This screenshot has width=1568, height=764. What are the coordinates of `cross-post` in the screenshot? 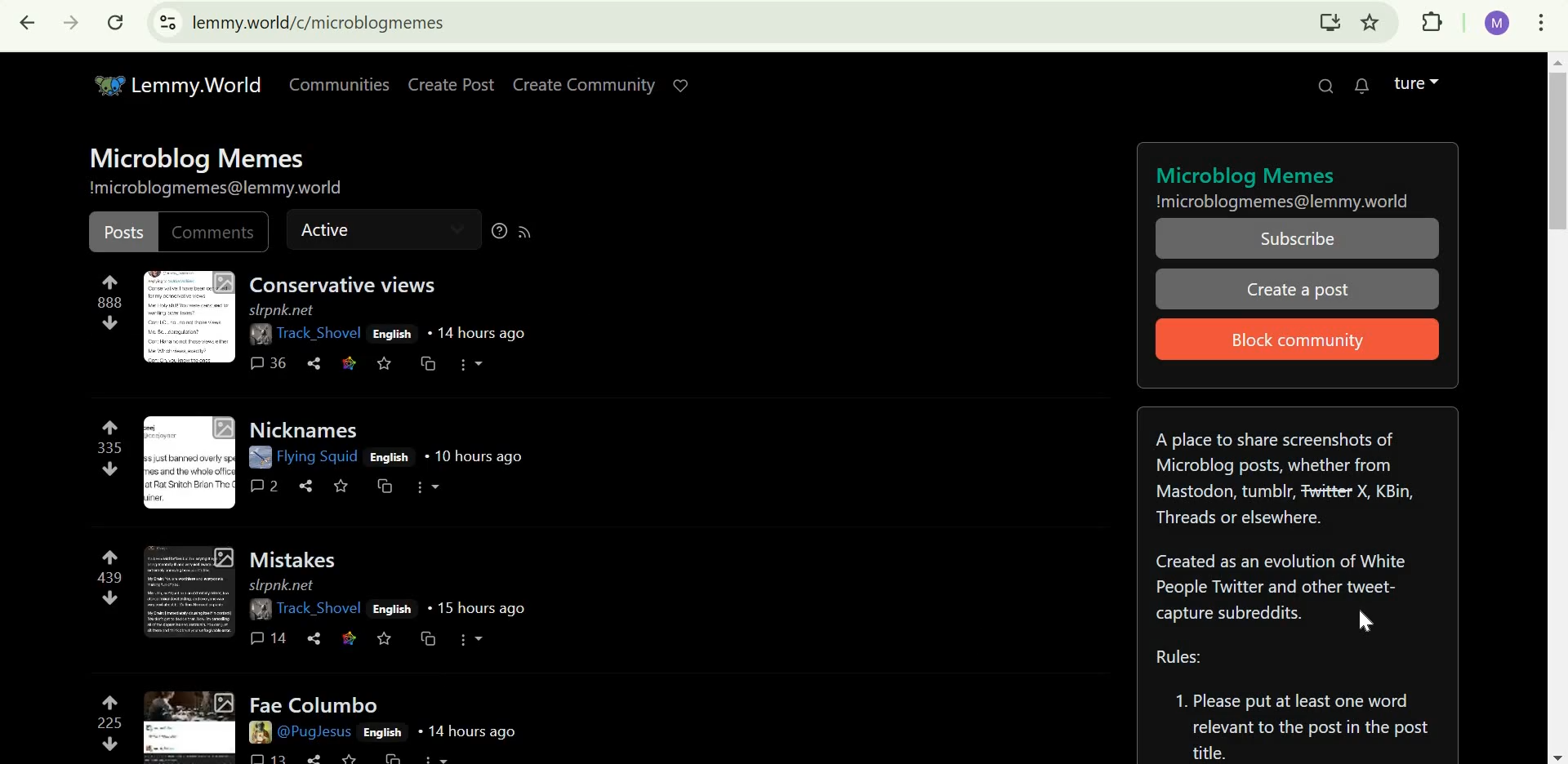 It's located at (387, 486).